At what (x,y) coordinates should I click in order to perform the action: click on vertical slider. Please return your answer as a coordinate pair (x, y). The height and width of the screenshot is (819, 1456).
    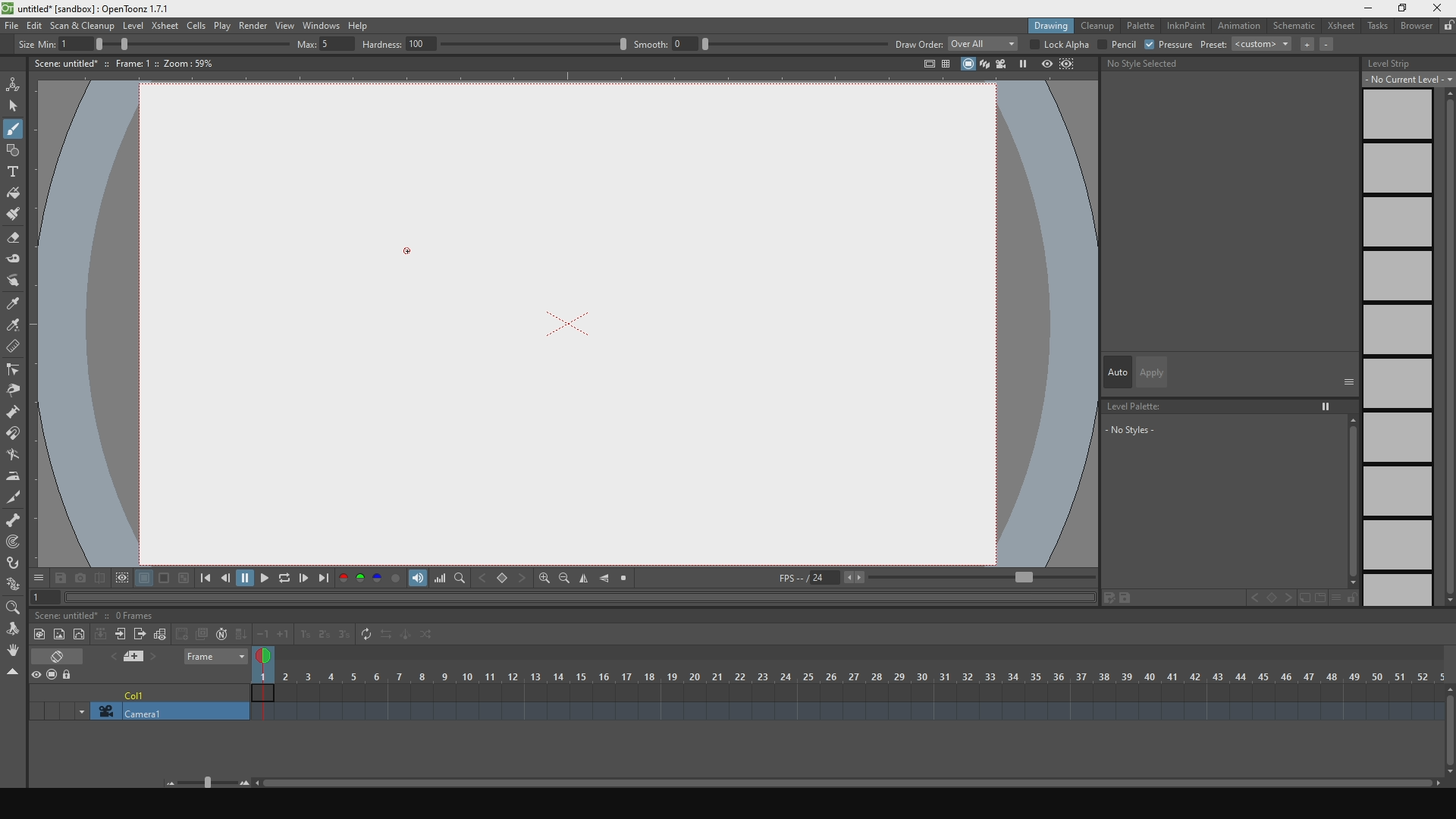
    Looking at the image, I should click on (1446, 347).